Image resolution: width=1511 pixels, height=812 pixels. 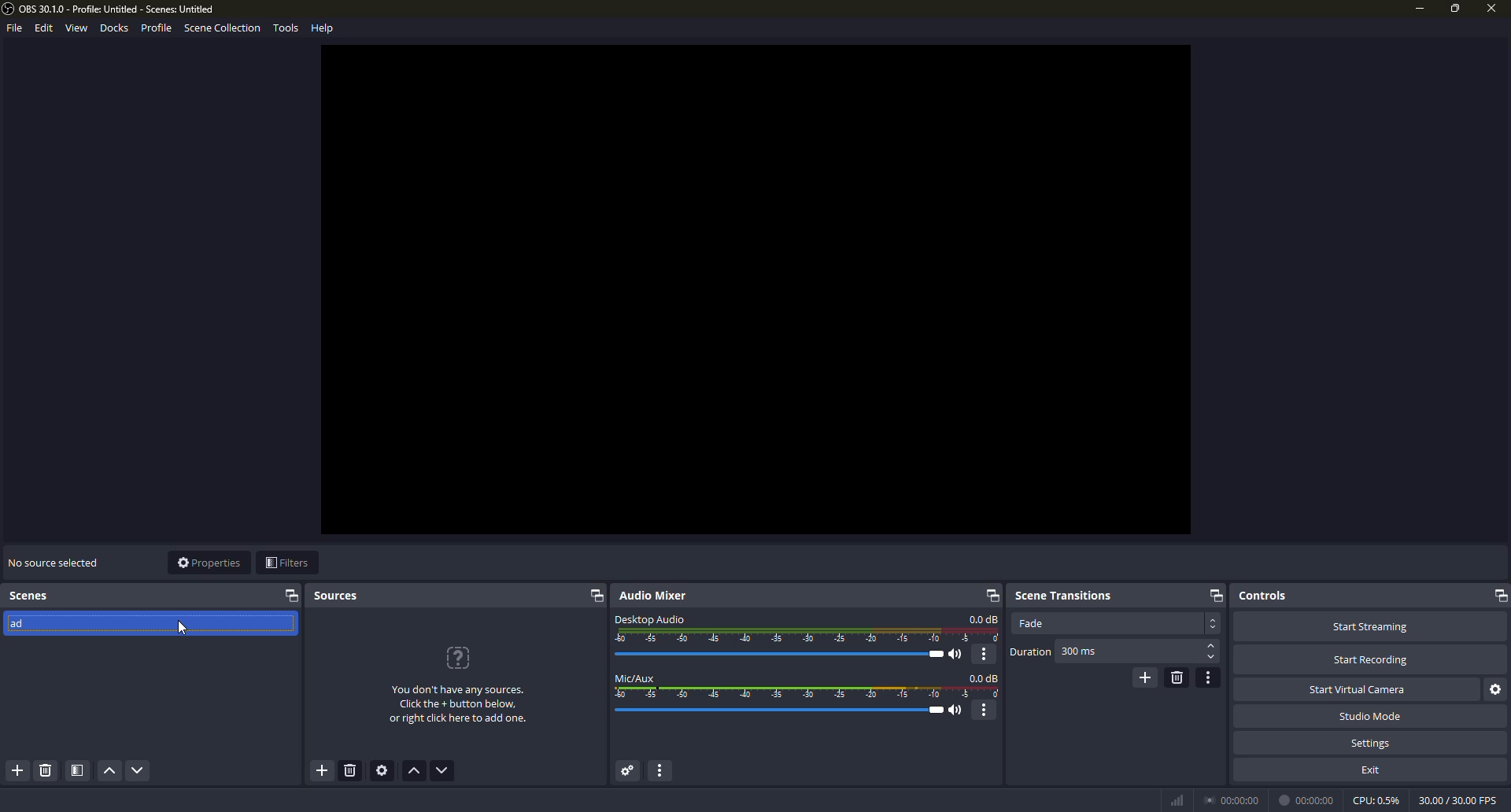 I want to click on db, so click(x=984, y=619).